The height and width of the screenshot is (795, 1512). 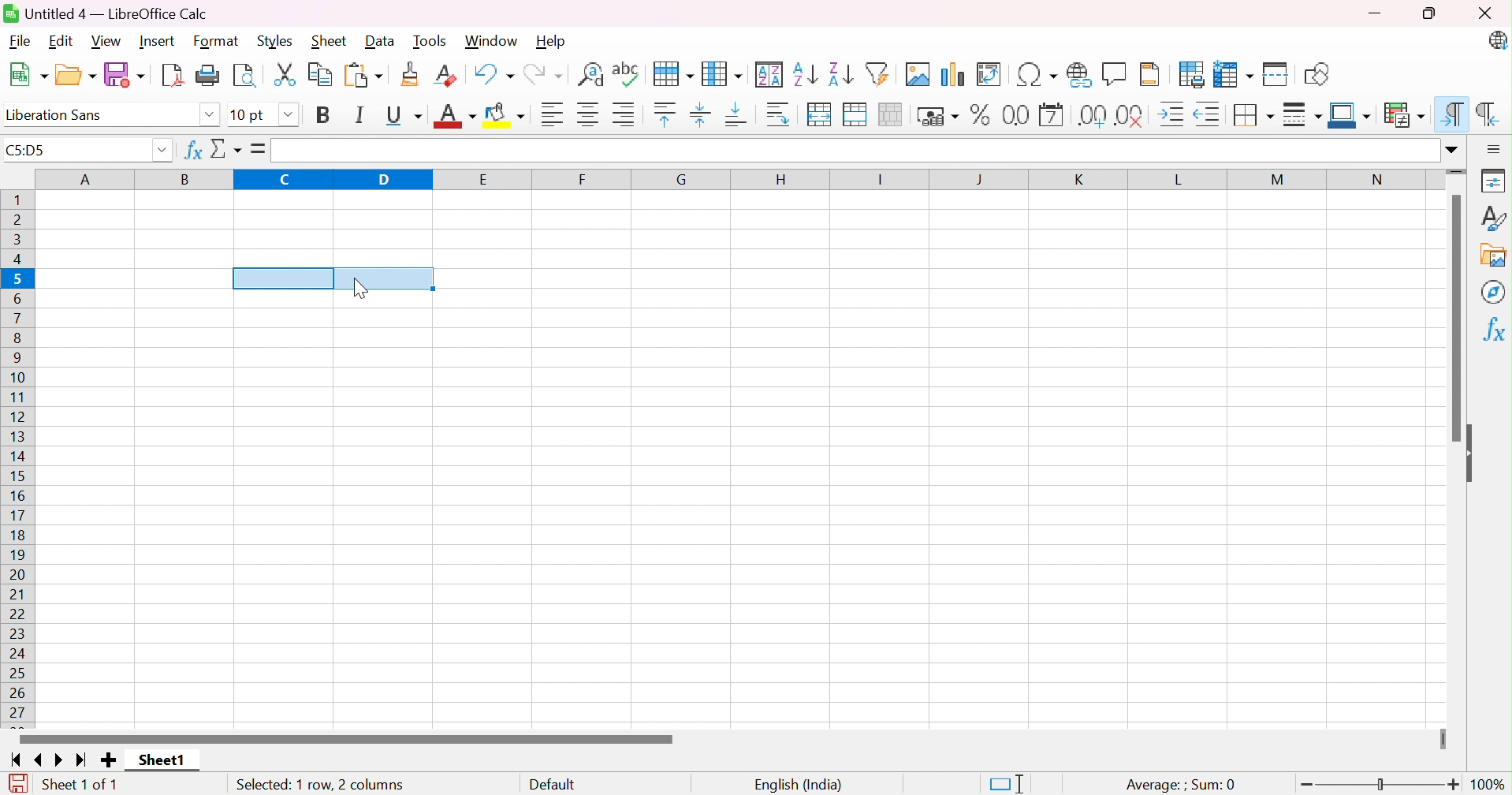 I want to click on Properties, so click(x=1494, y=180).